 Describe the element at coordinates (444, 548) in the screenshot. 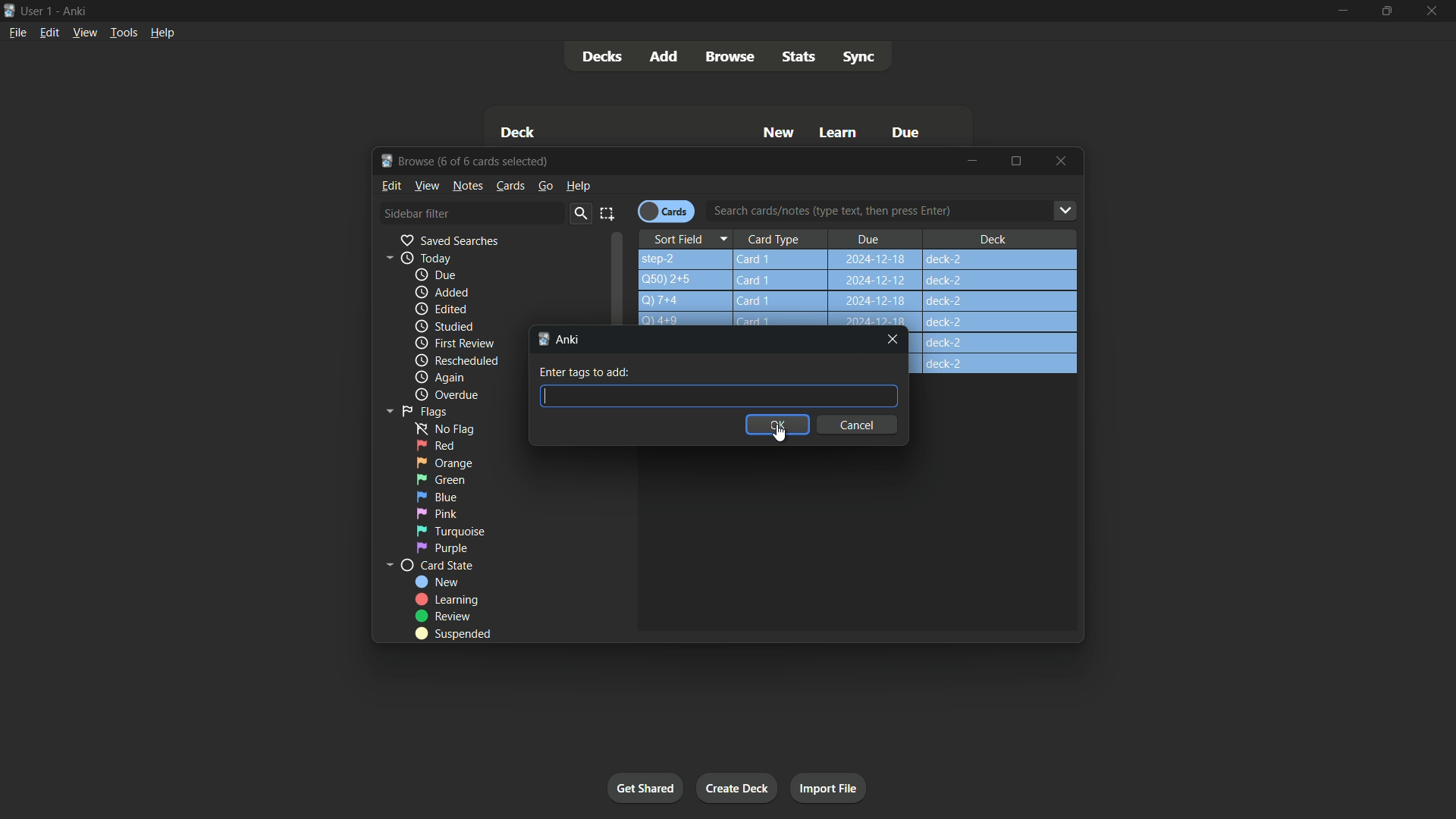

I see `Purple` at that location.